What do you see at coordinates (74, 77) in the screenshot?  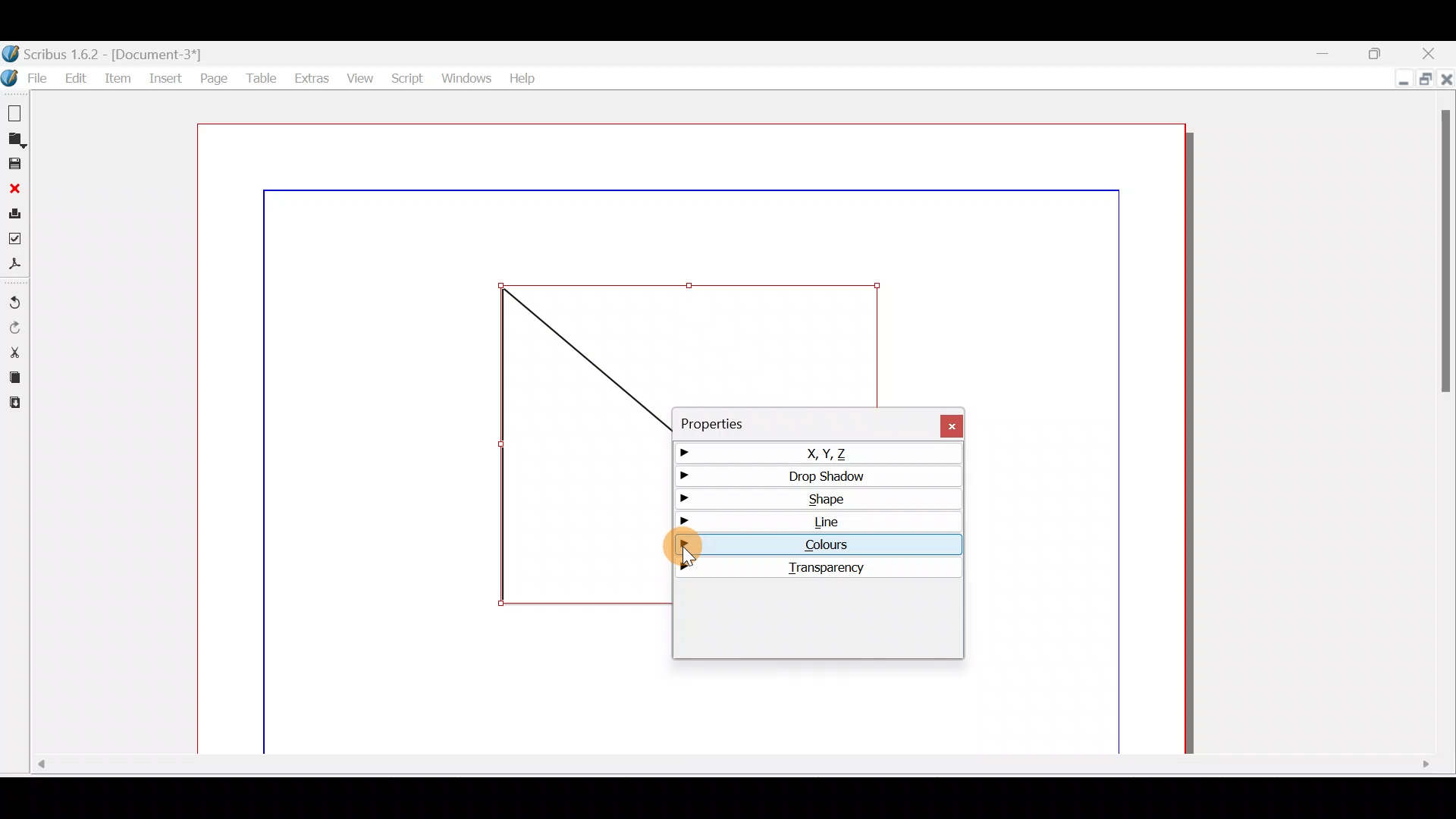 I see `Edit` at bounding box center [74, 77].